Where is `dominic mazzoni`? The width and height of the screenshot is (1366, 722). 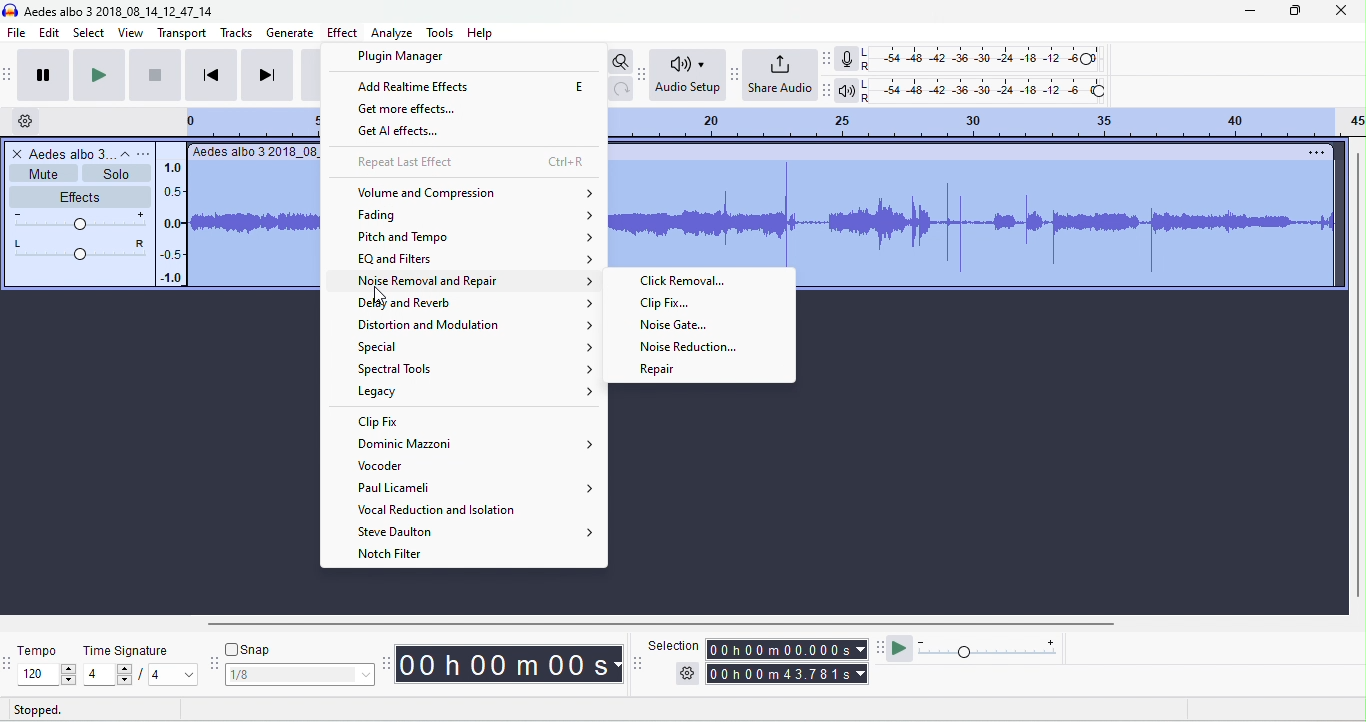
dominic mazzoni is located at coordinates (474, 444).